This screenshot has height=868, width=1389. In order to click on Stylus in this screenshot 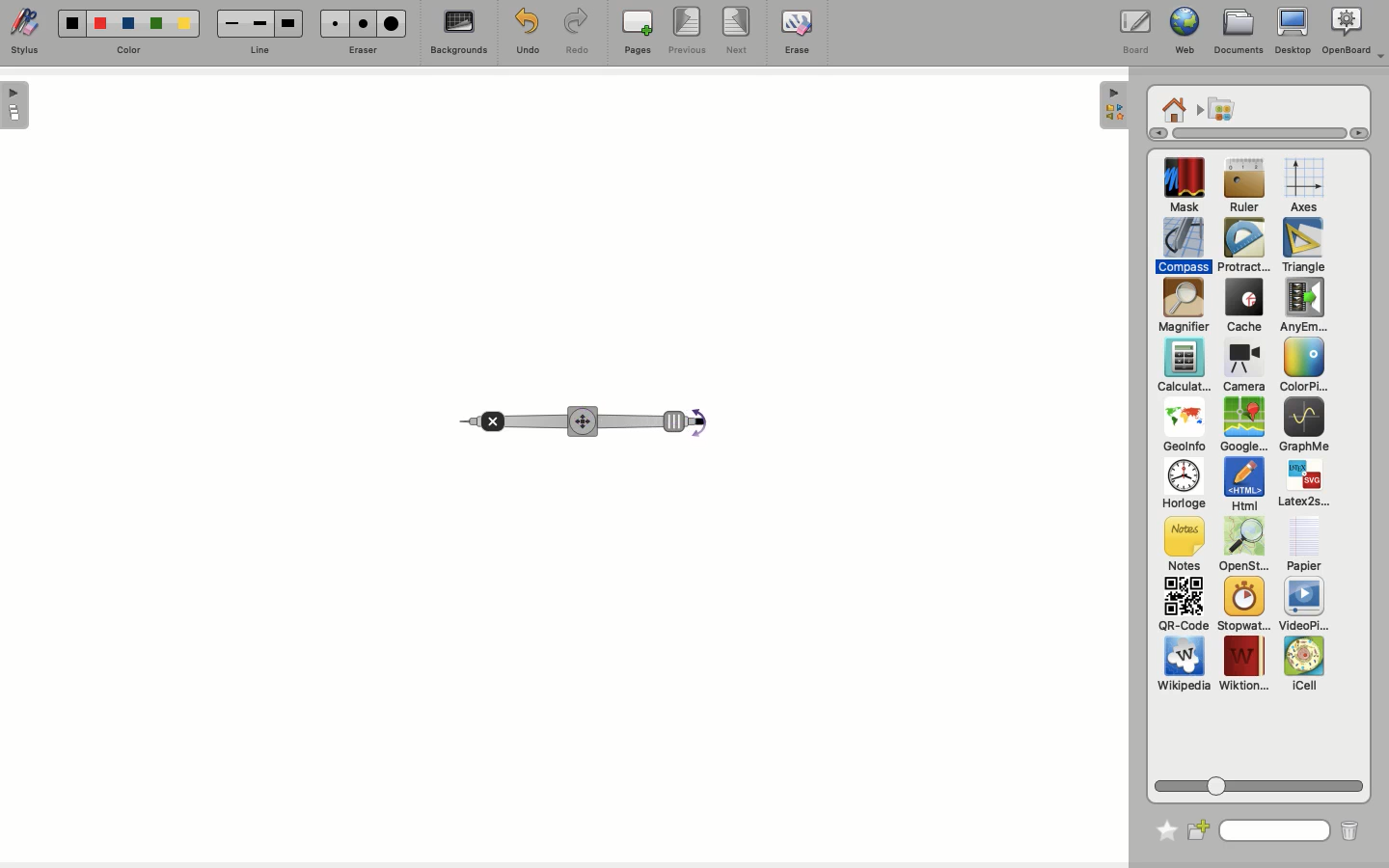, I will do `click(29, 33)`.